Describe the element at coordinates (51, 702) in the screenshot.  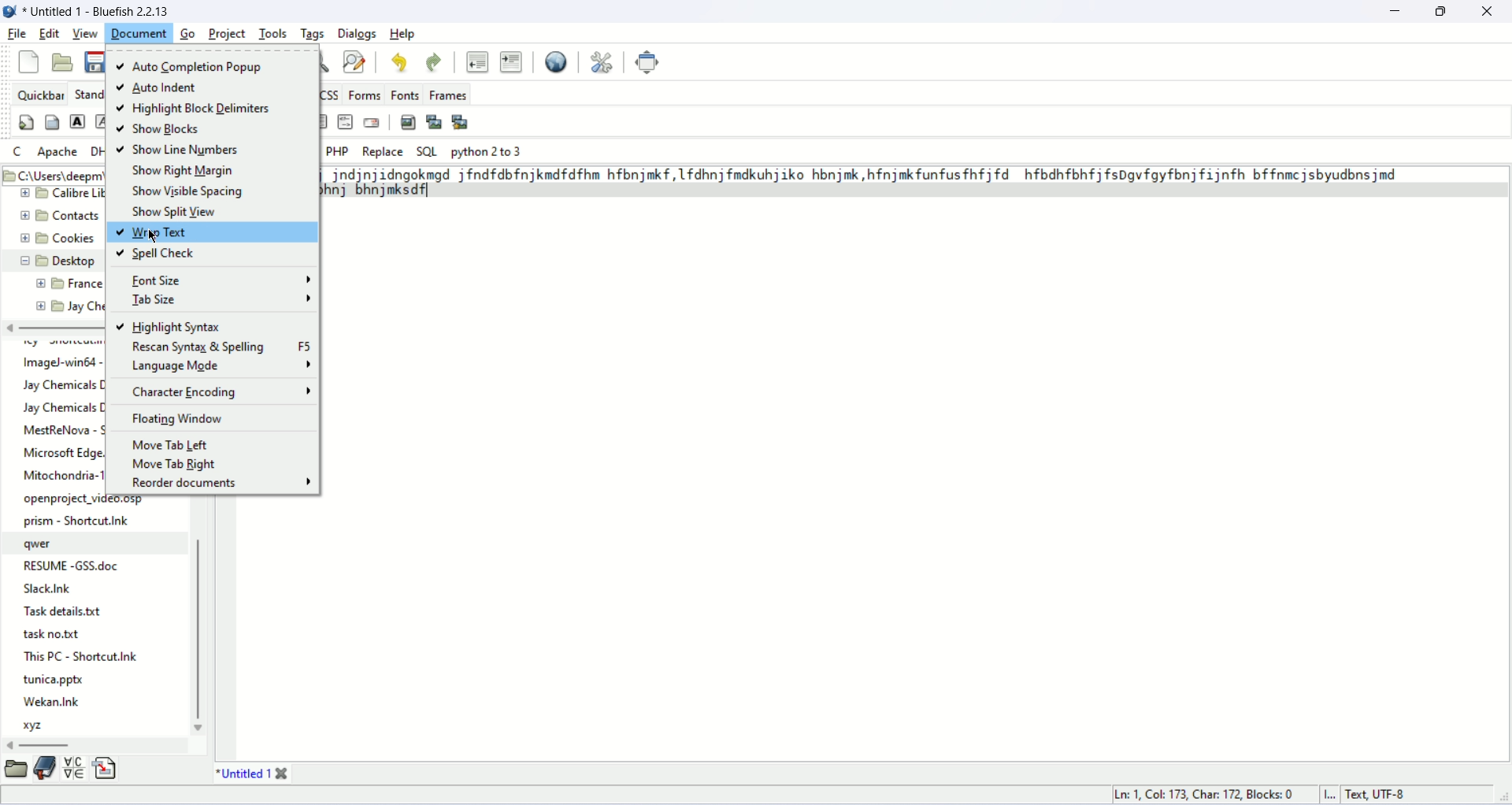
I see `Wekan.Ink` at that location.